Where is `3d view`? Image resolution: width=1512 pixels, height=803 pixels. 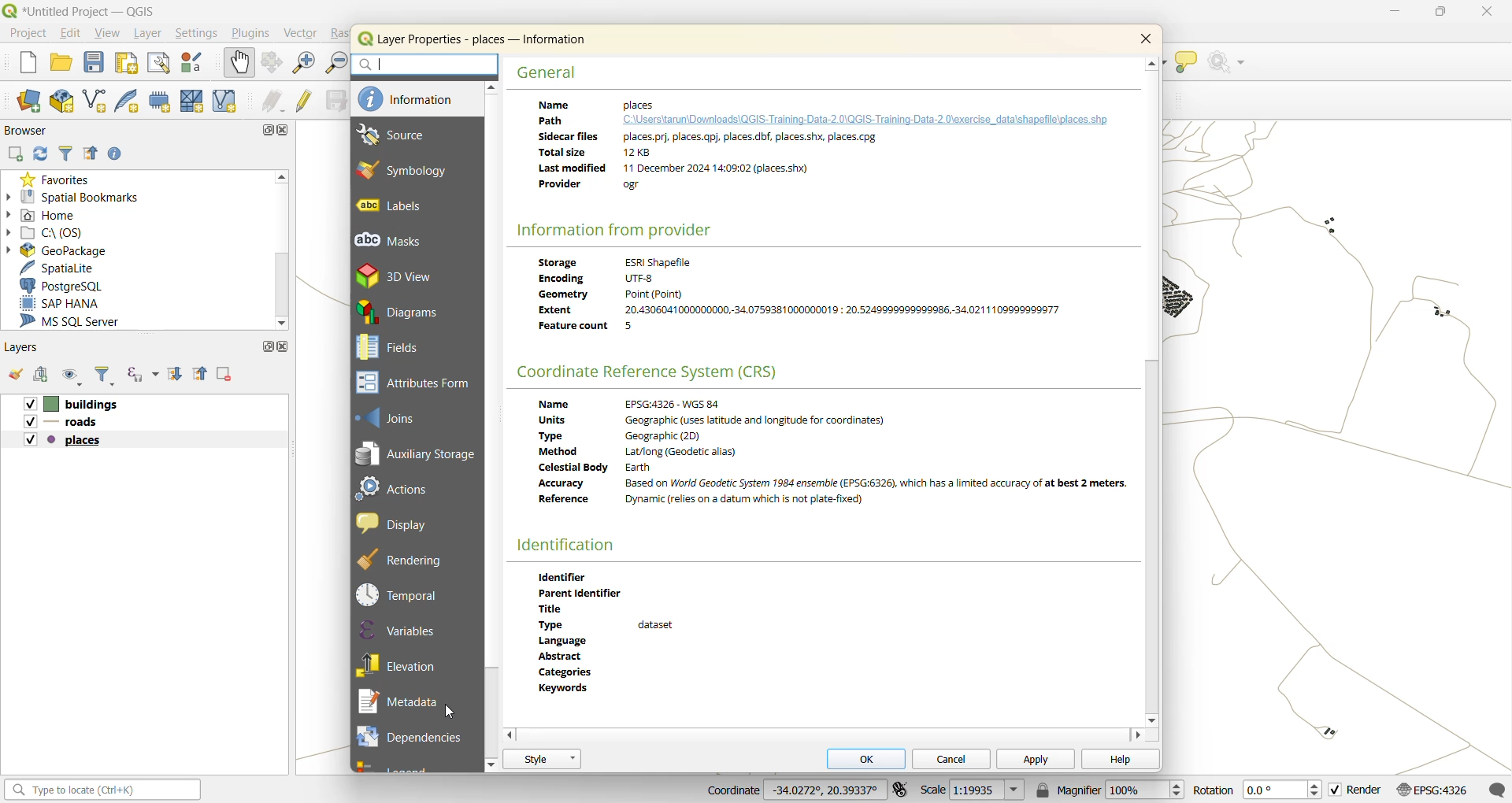
3d view is located at coordinates (396, 274).